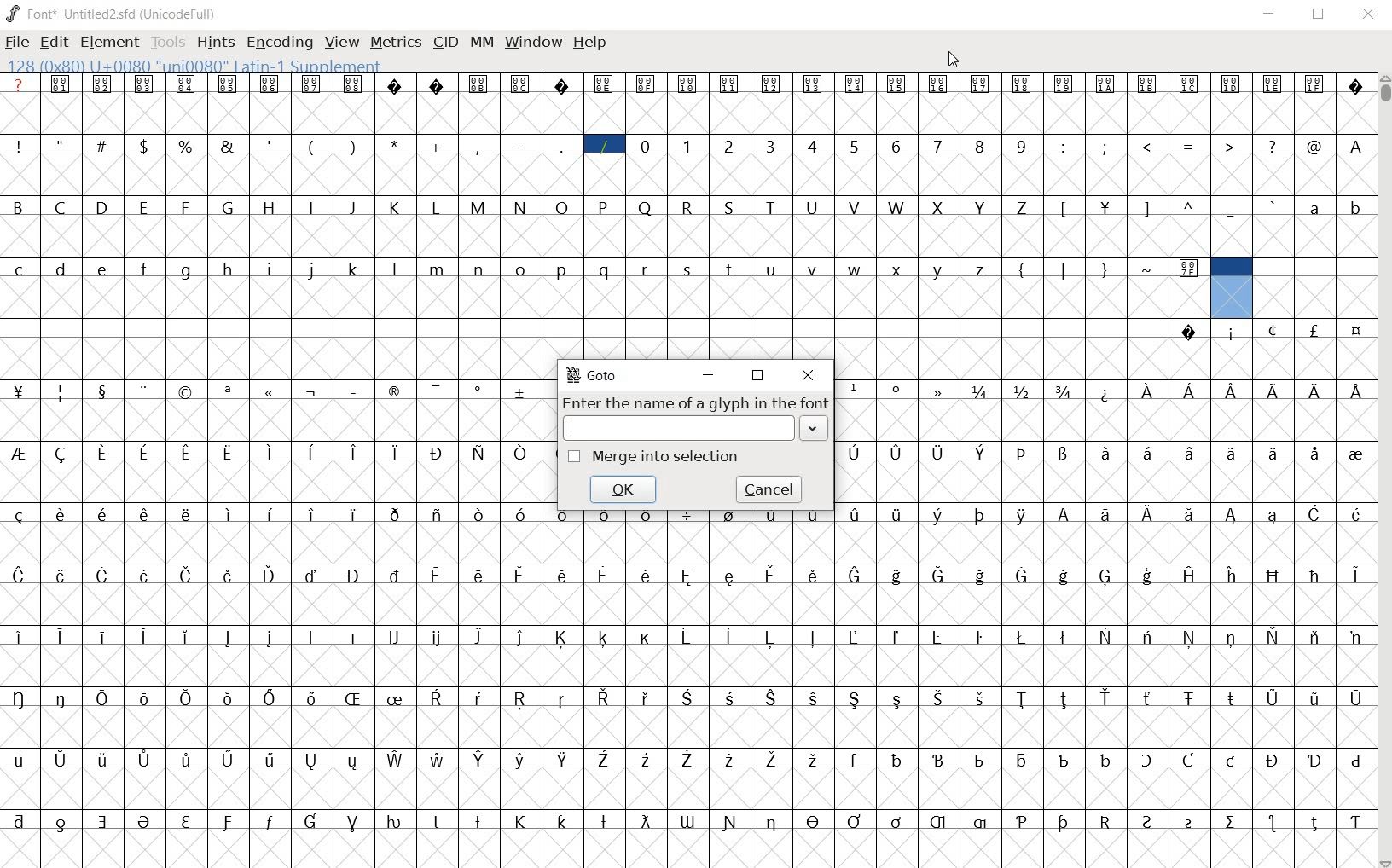  Describe the element at coordinates (937, 451) in the screenshot. I see `Symbol` at that location.